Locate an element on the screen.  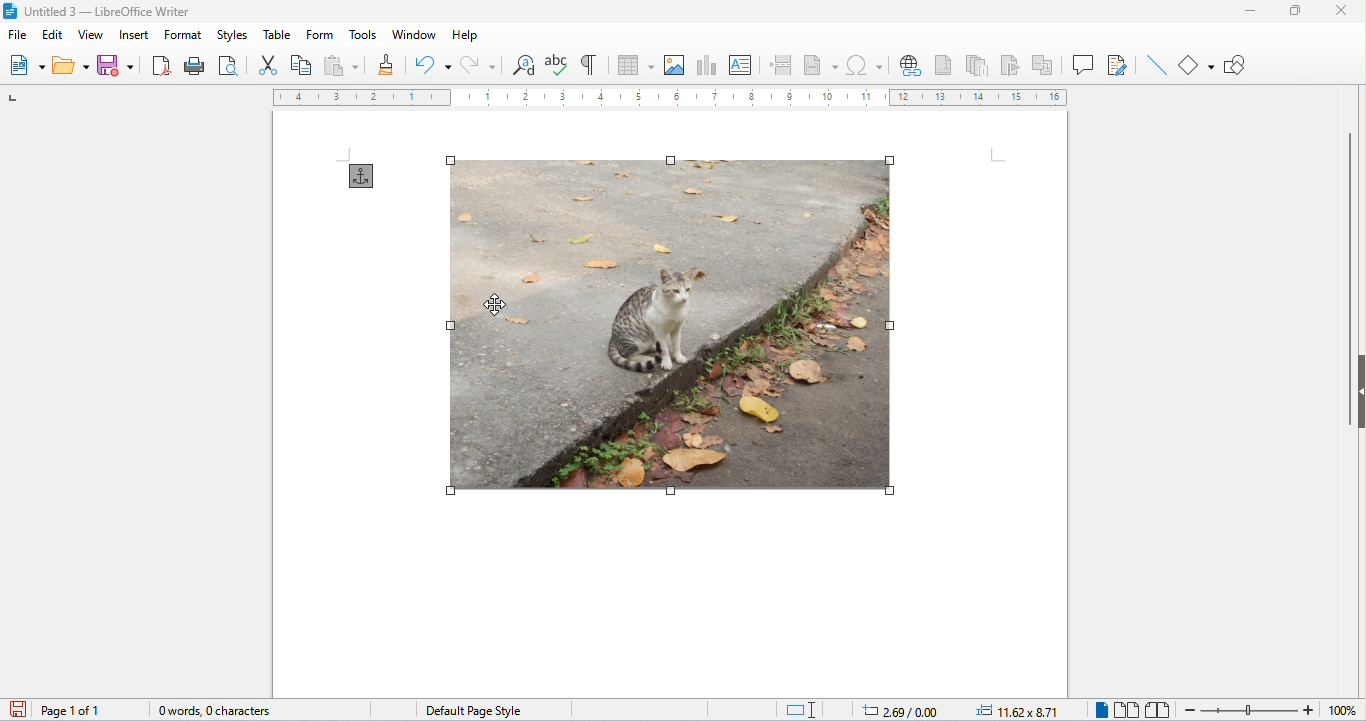
insert comment is located at coordinates (1084, 64).